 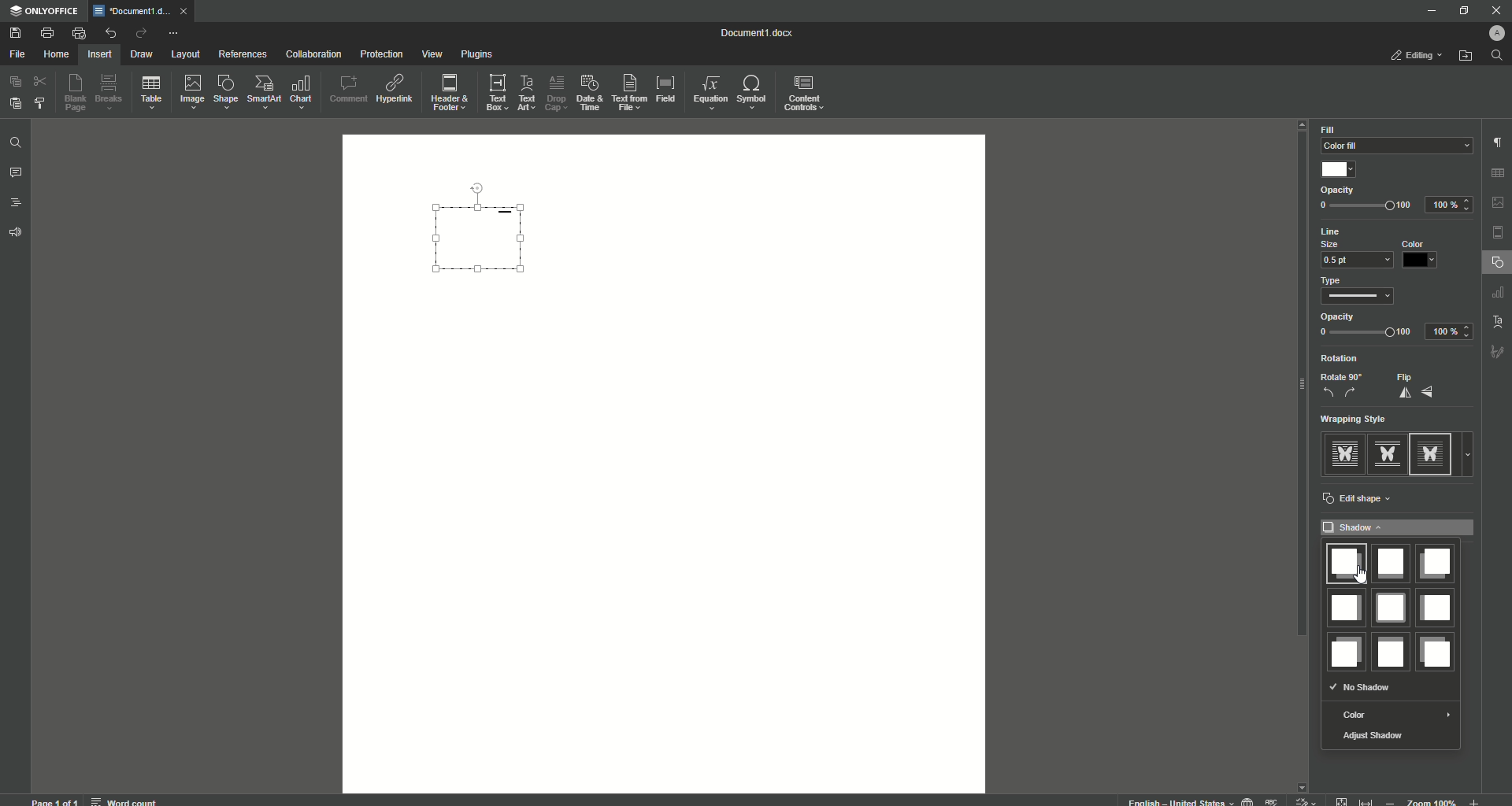 I want to click on Layout, so click(x=185, y=54).